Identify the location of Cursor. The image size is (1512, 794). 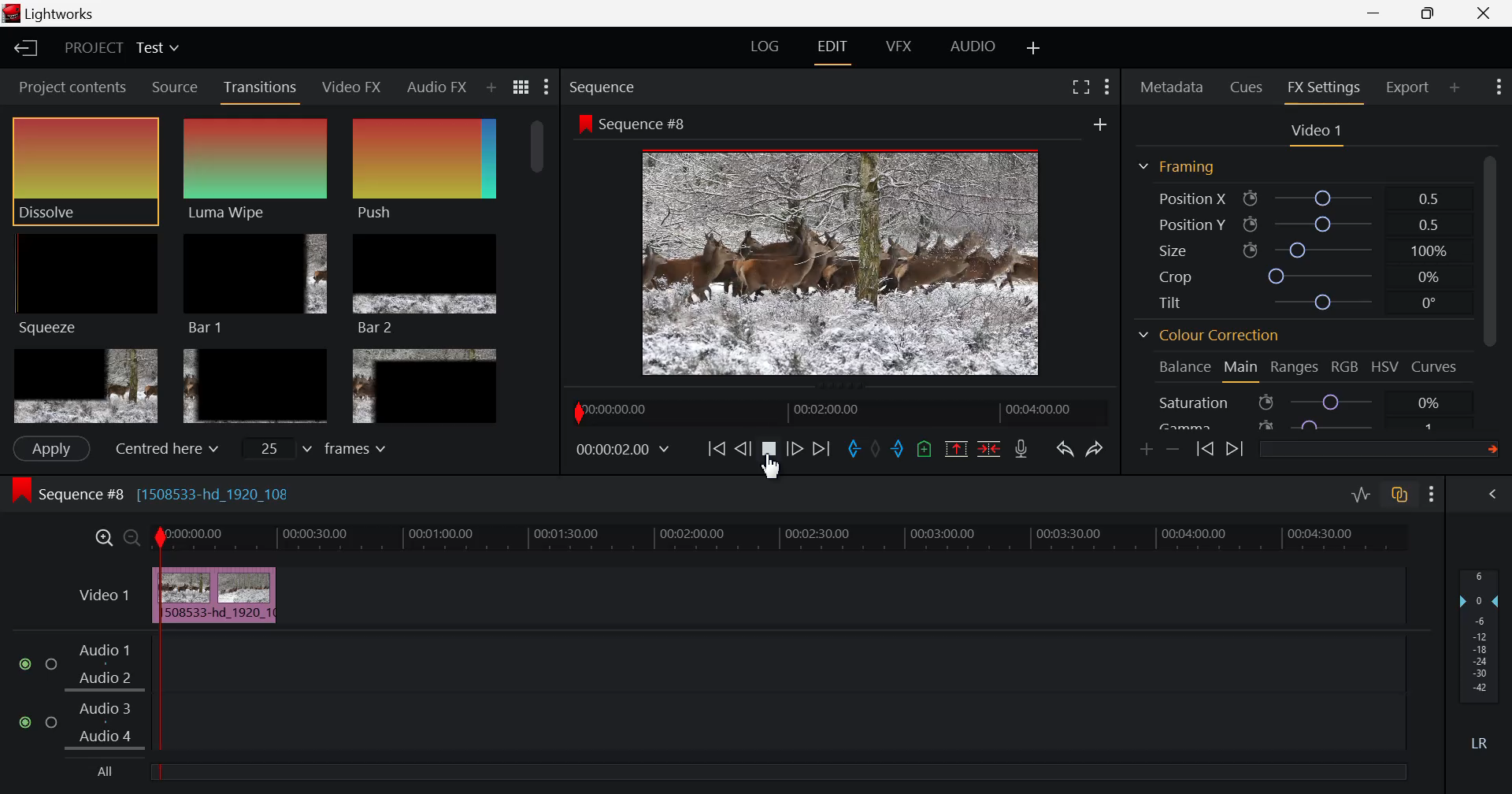
(778, 473).